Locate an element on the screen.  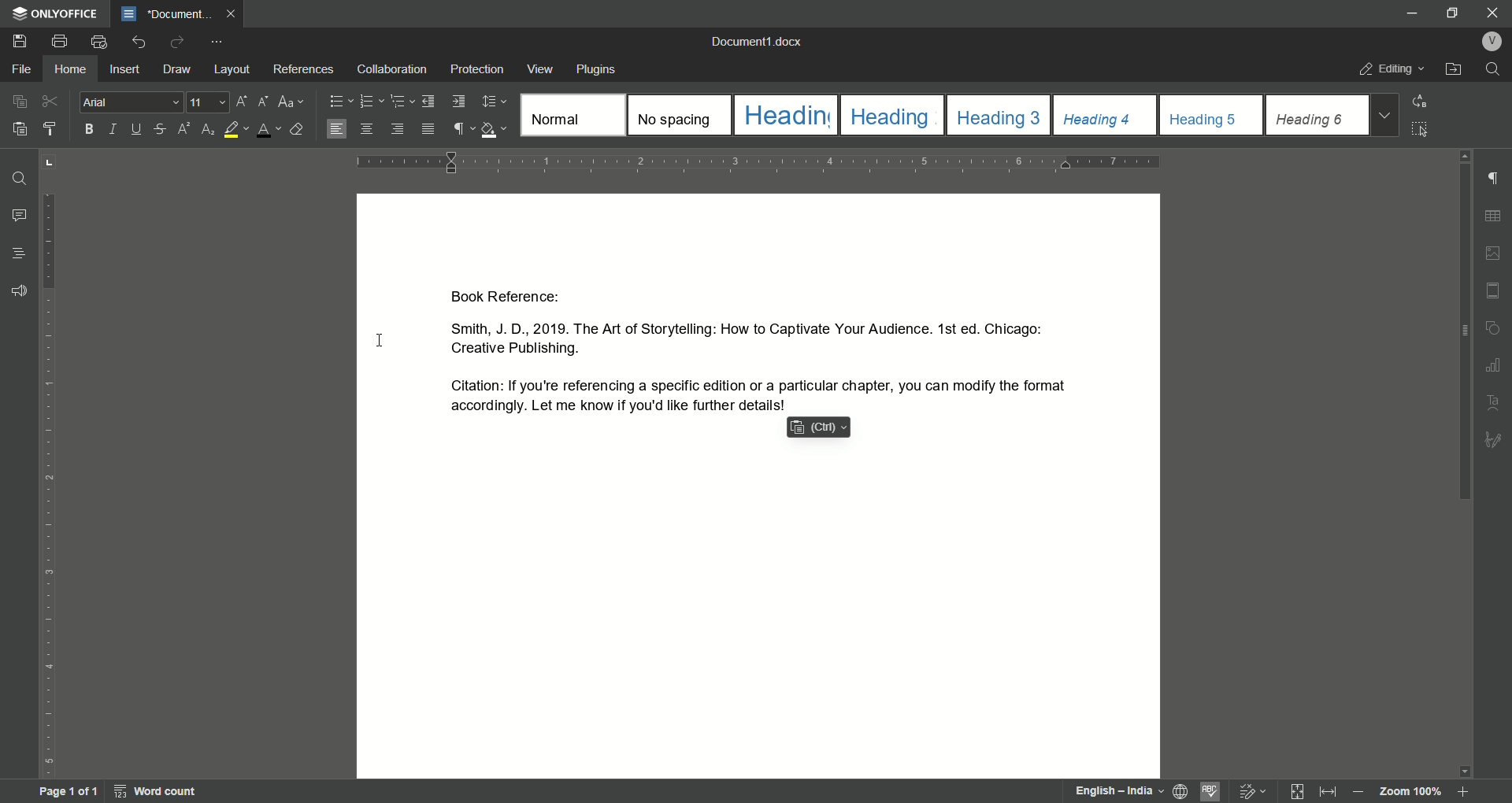
superscript is located at coordinates (182, 130).